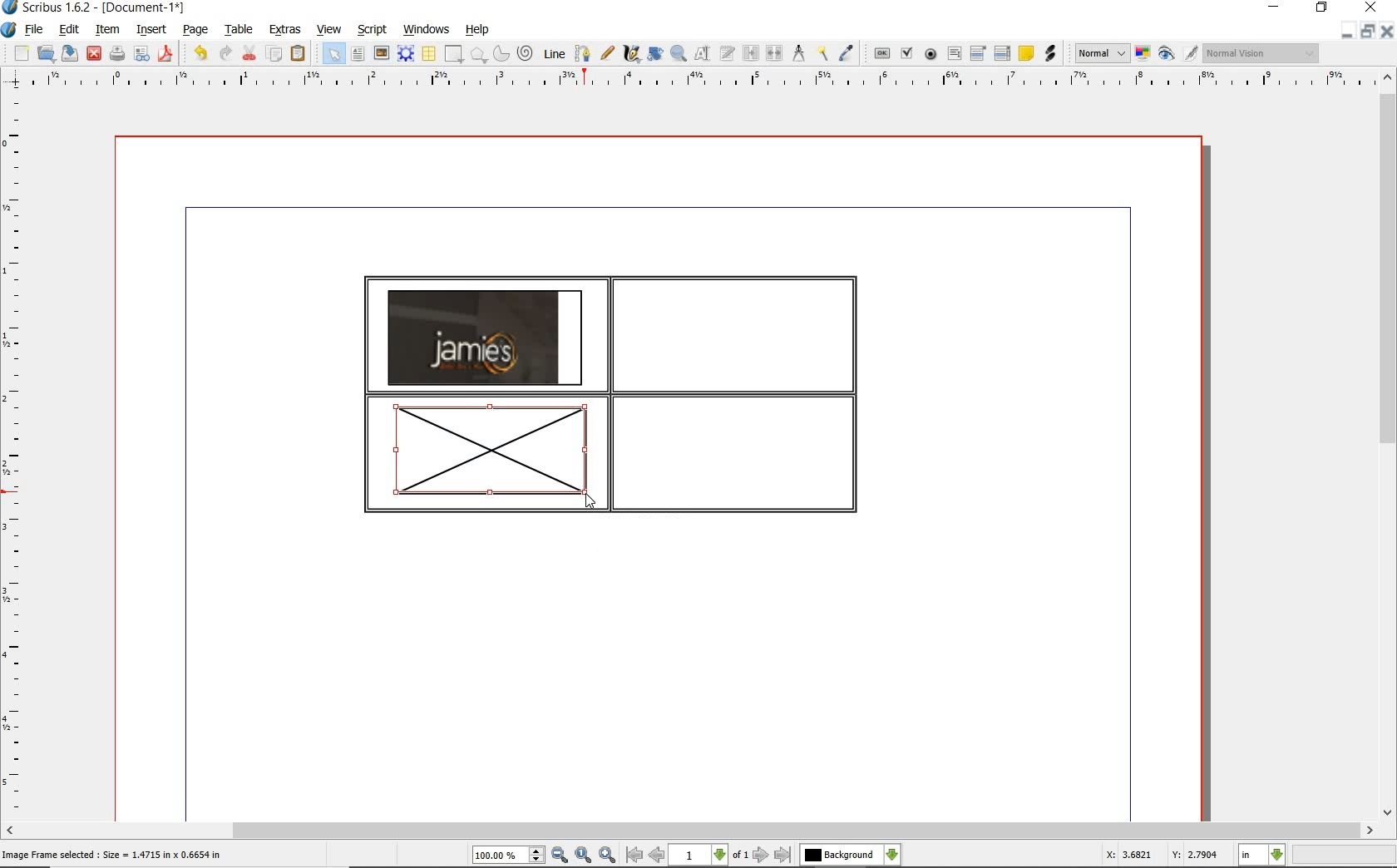  I want to click on select, so click(336, 57).